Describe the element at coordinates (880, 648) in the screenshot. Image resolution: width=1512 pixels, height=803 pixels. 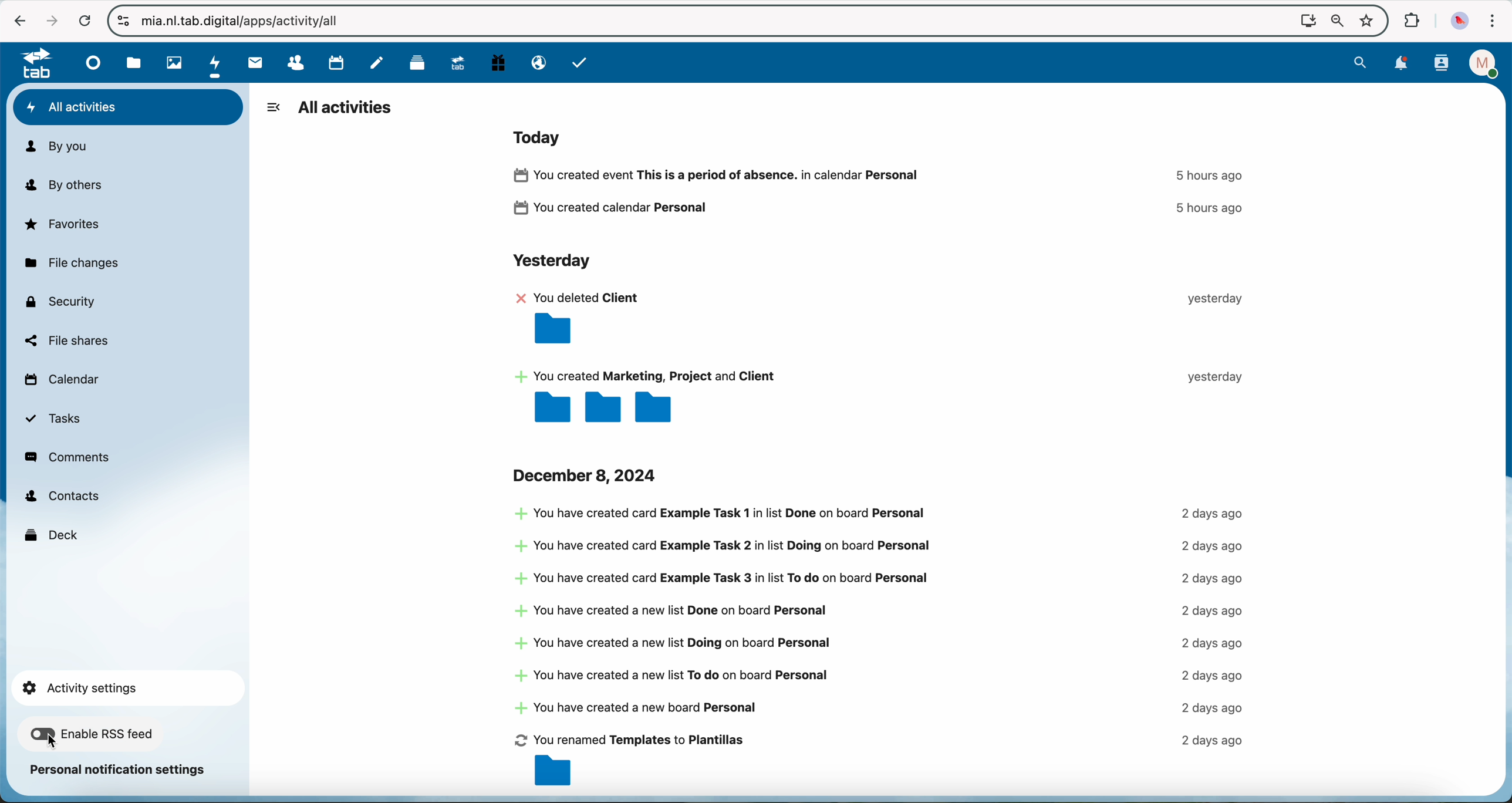
I see `activity` at that location.